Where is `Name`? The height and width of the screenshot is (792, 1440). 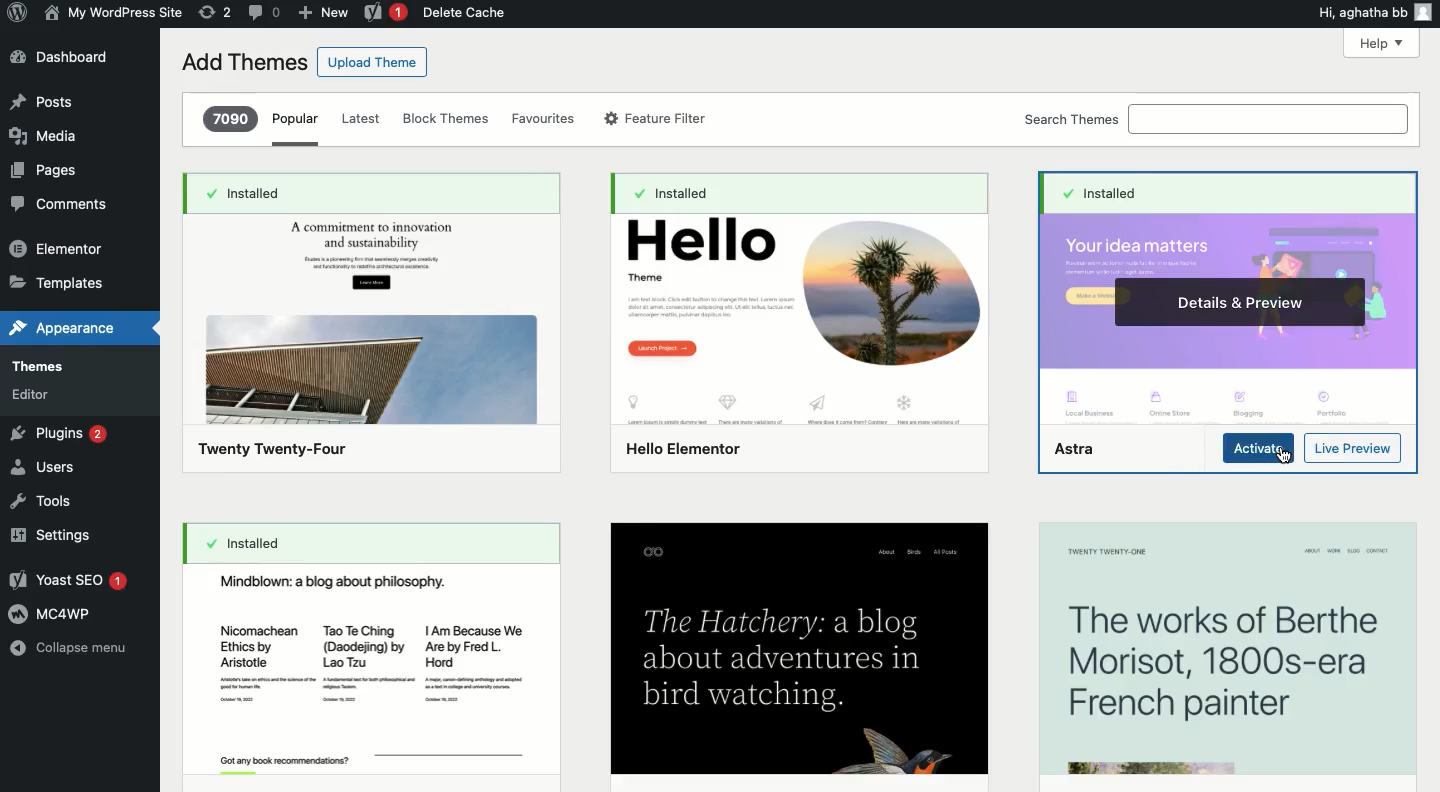
Name is located at coordinates (114, 12).